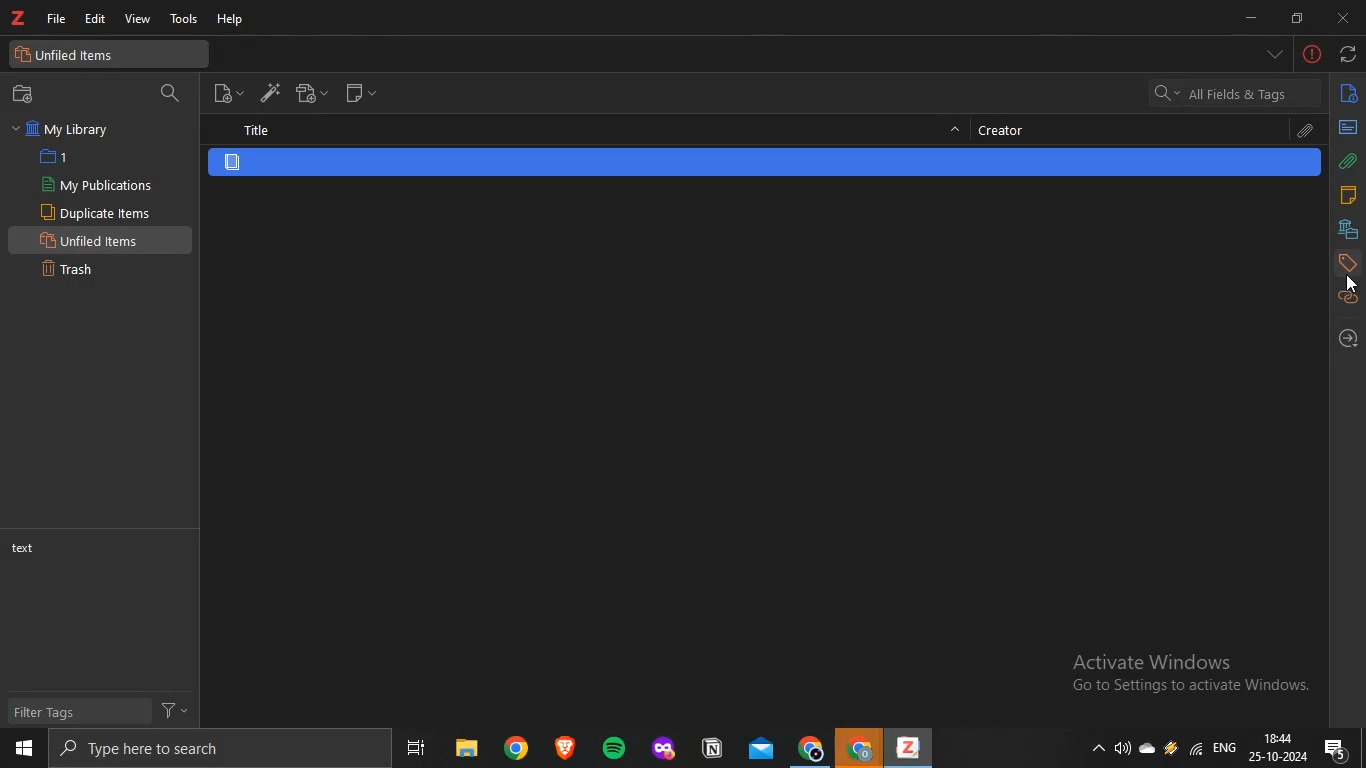  I want to click on attachments, so click(1349, 161).